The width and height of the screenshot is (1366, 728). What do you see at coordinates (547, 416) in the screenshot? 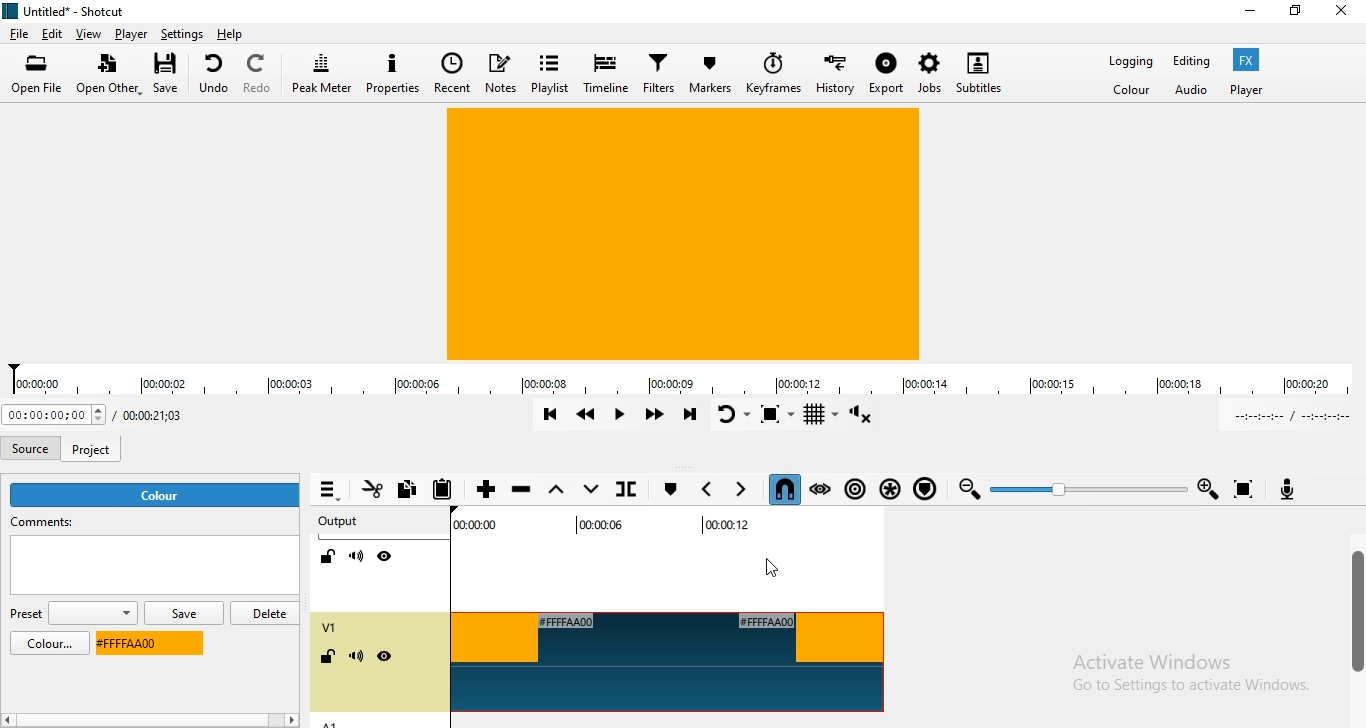
I see `Skip to previous` at bounding box center [547, 416].